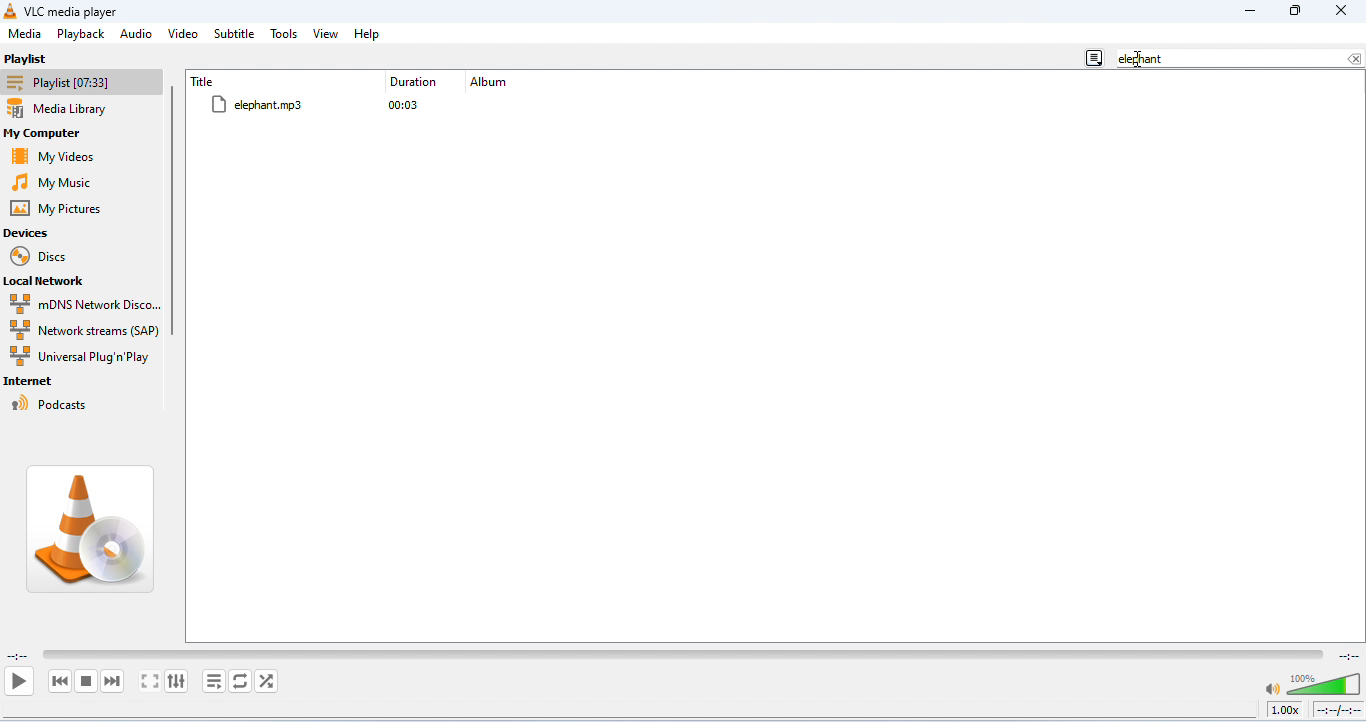 The image size is (1366, 722). I want to click on VLC media player logo, so click(93, 529).